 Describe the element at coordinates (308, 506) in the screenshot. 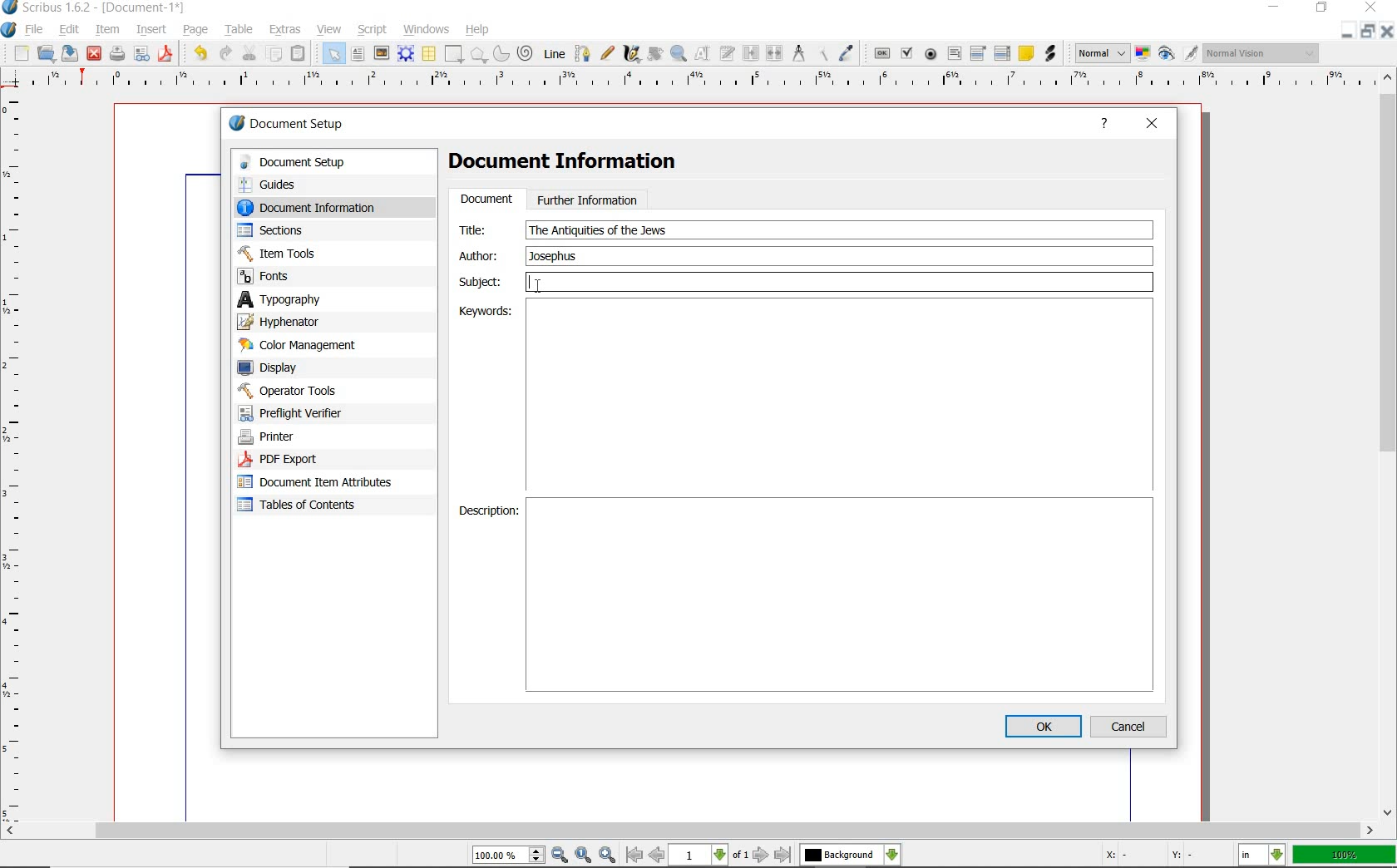

I see `tables of contents` at that location.